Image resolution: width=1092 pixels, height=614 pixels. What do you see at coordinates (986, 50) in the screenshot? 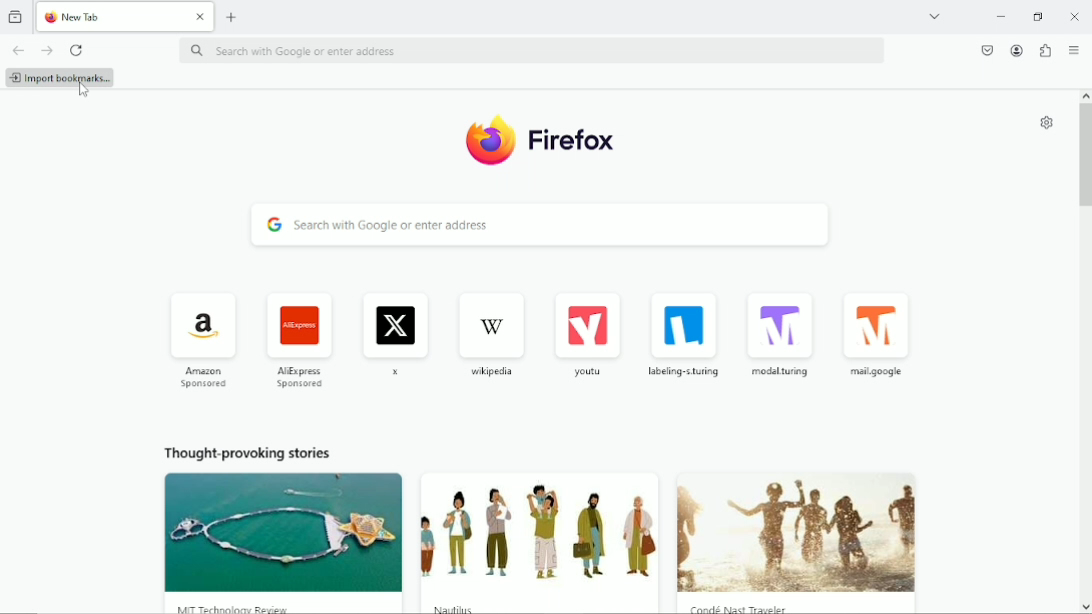
I see `Save to pocket` at bounding box center [986, 50].